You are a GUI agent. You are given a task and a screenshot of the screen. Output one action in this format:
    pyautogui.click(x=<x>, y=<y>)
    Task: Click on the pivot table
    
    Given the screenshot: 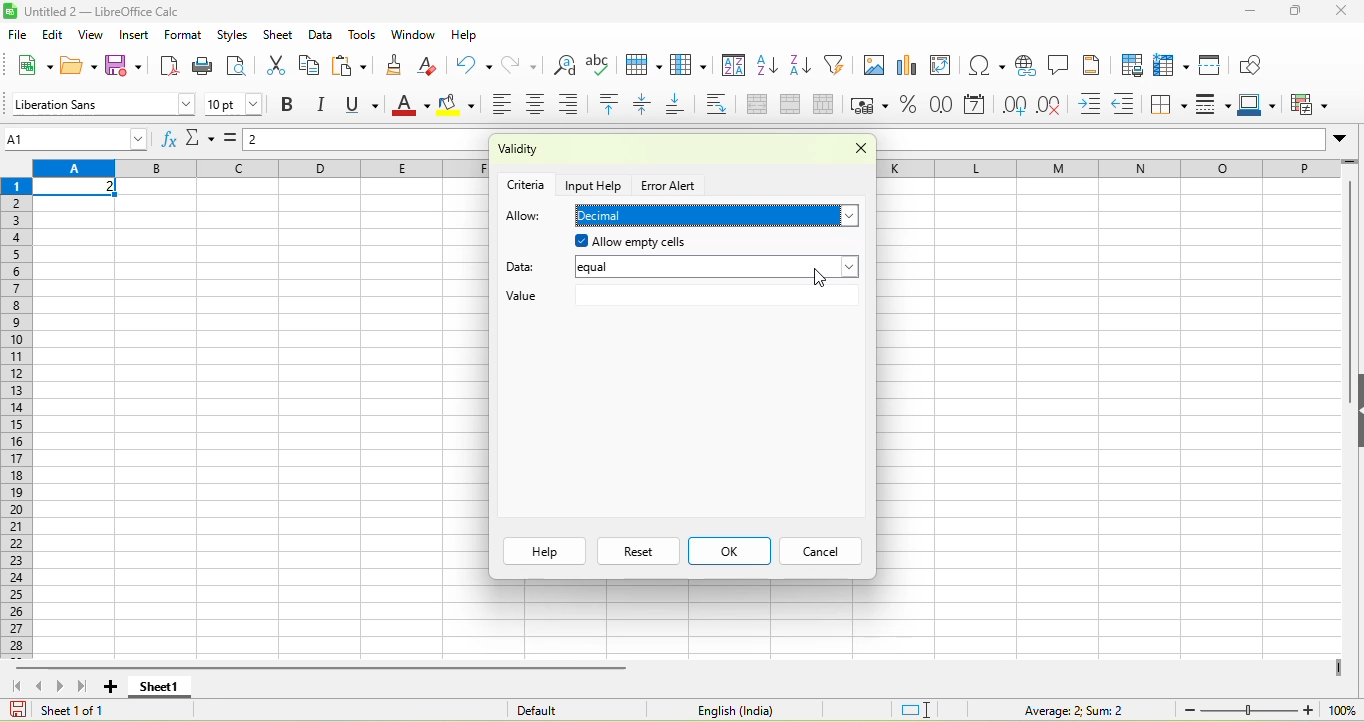 What is the action you would take?
    pyautogui.click(x=946, y=67)
    